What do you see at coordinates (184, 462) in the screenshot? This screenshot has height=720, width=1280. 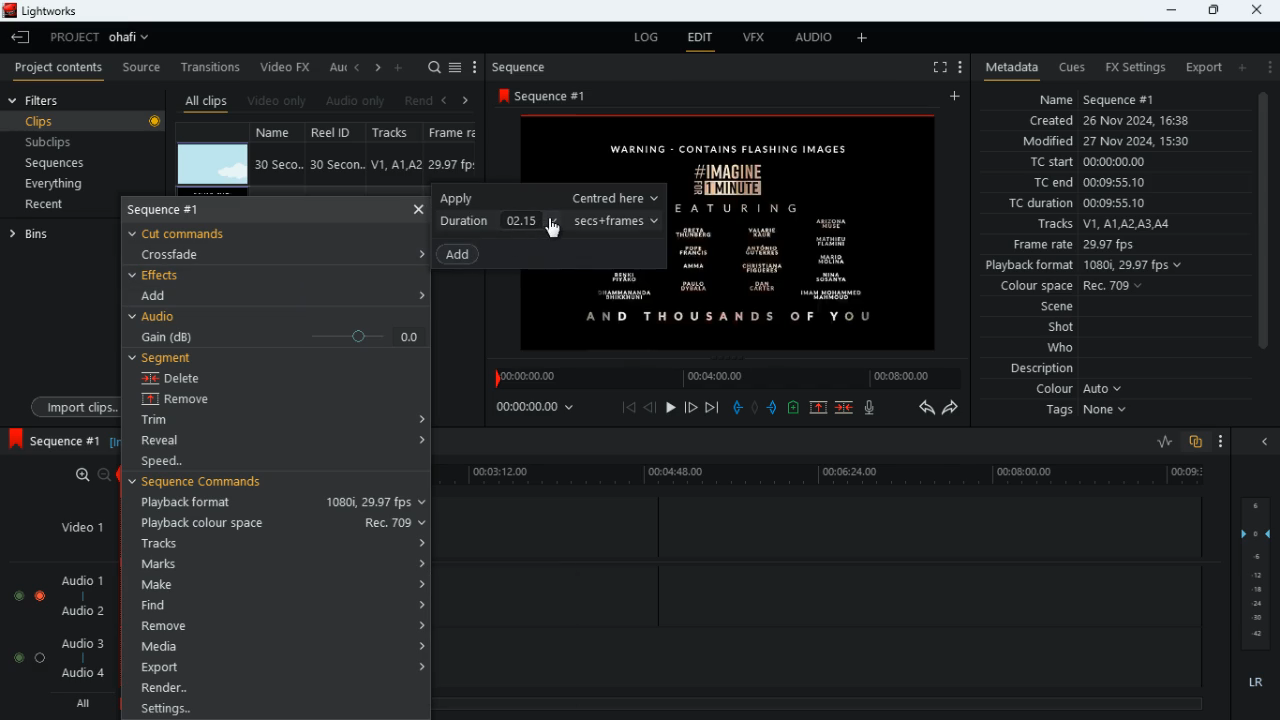 I see `speed` at bounding box center [184, 462].